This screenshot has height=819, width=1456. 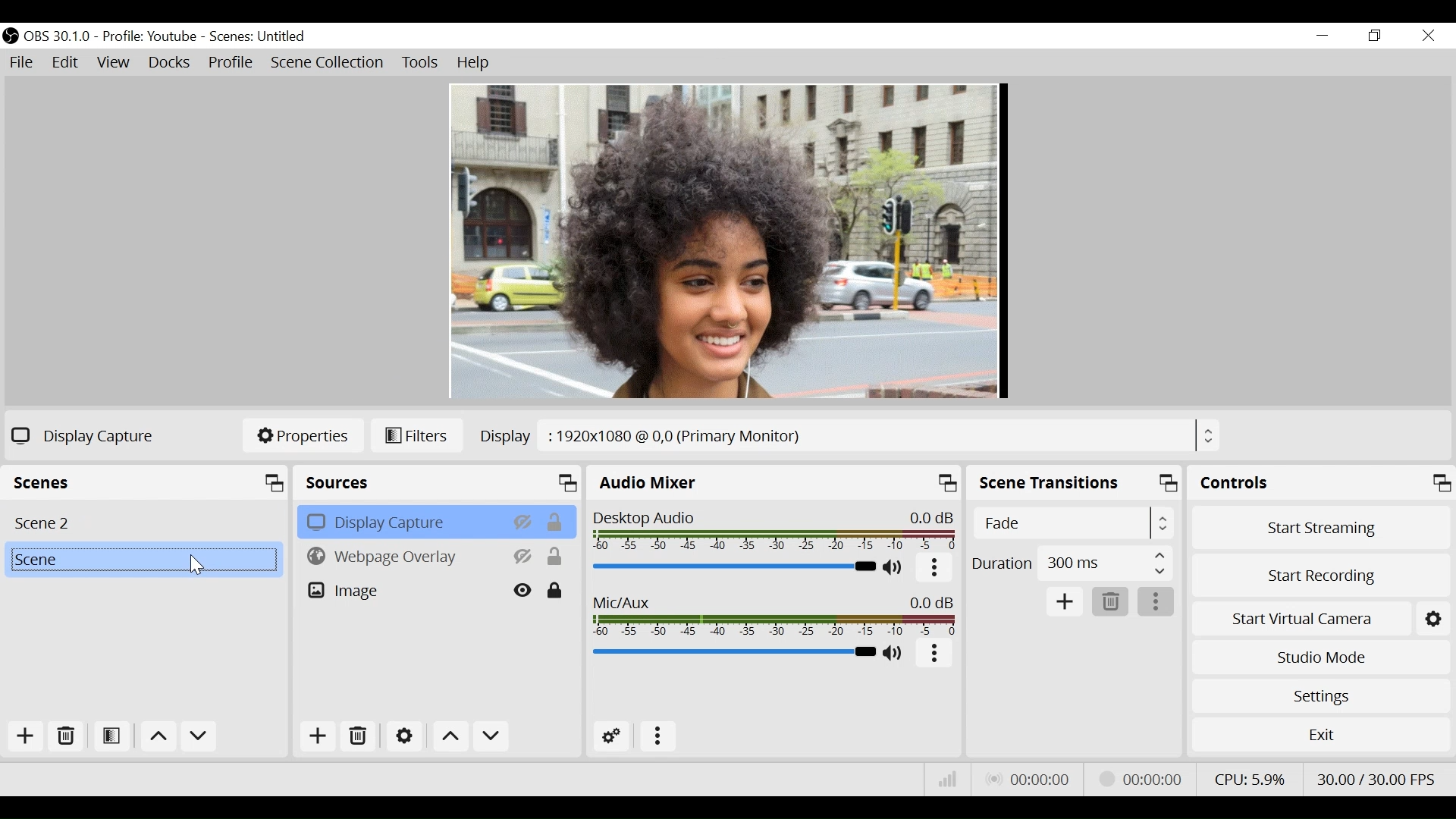 What do you see at coordinates (115, 63) in the screenshot?
I see `View` at bounding box center [115, 63].